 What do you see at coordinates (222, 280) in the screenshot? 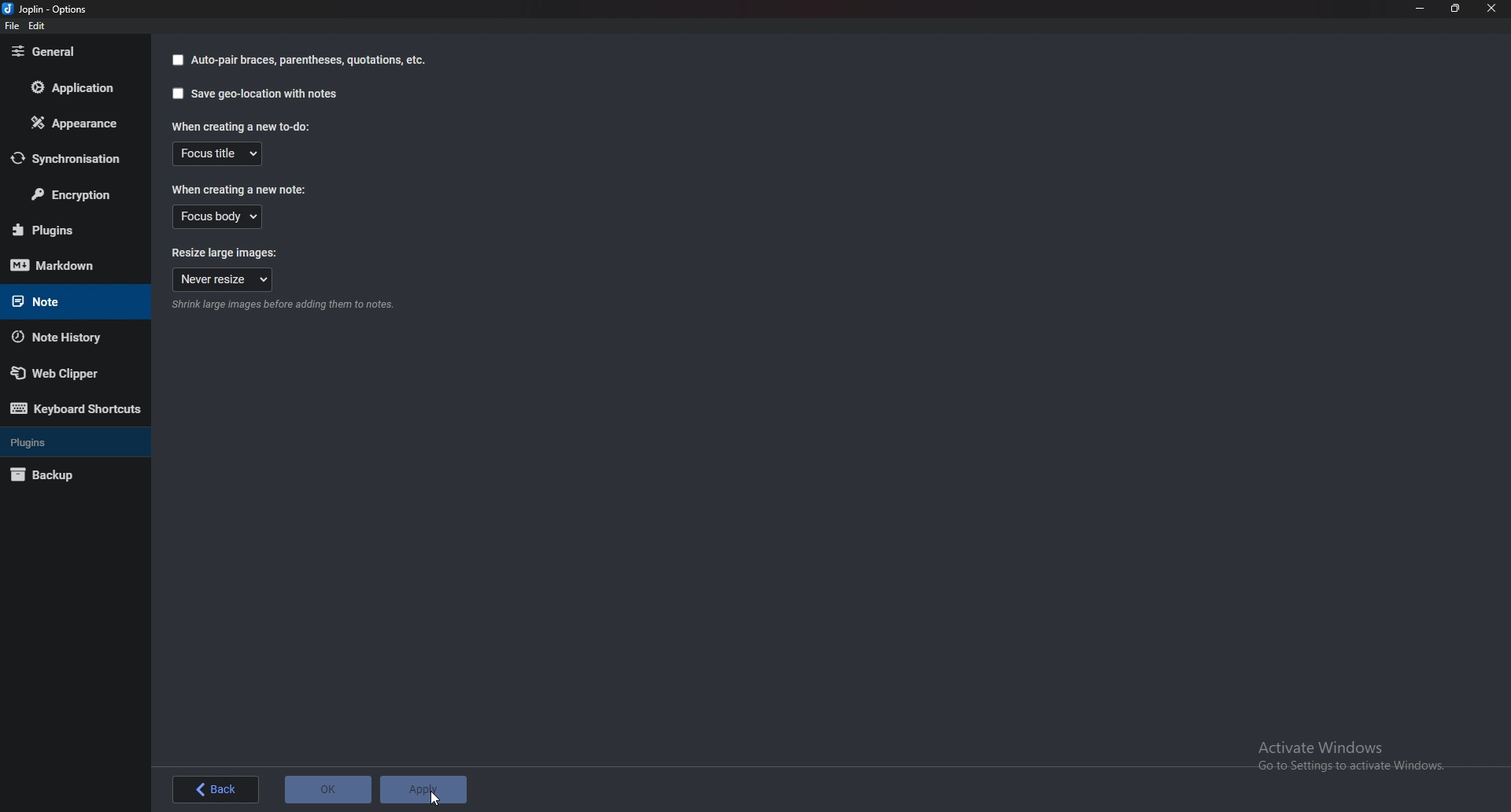
I see `Never resize` at bounding box center [222, 280].